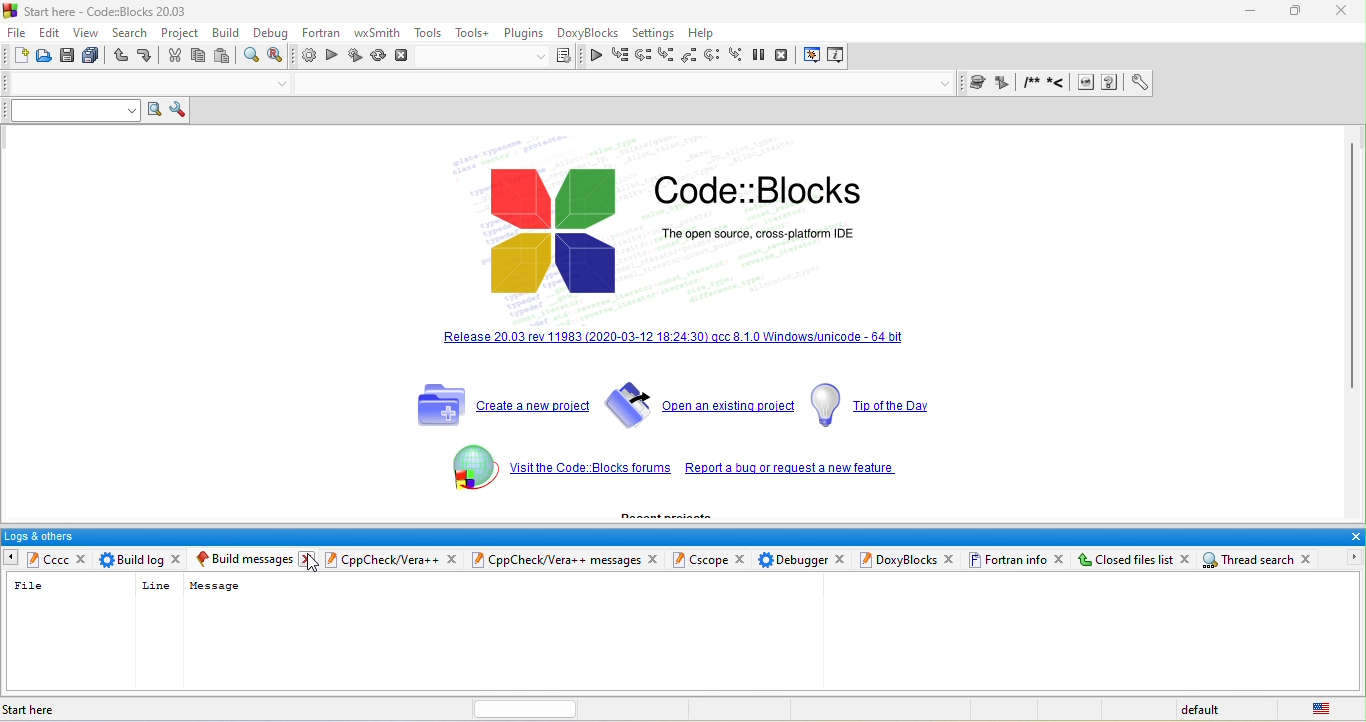 This screenshot has width=1366, height=722. I want to click on new file , so click(18, 57).